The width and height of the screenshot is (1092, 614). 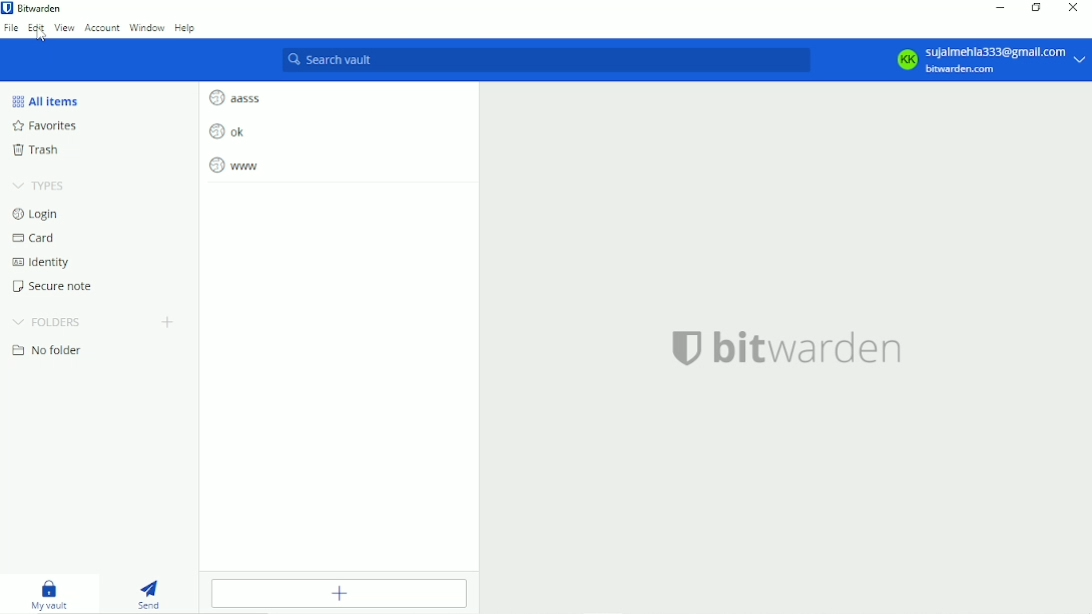 What do you see at coordinates (64, 29) in the screenshot?
I see `View` at bounding box center [64, 29].